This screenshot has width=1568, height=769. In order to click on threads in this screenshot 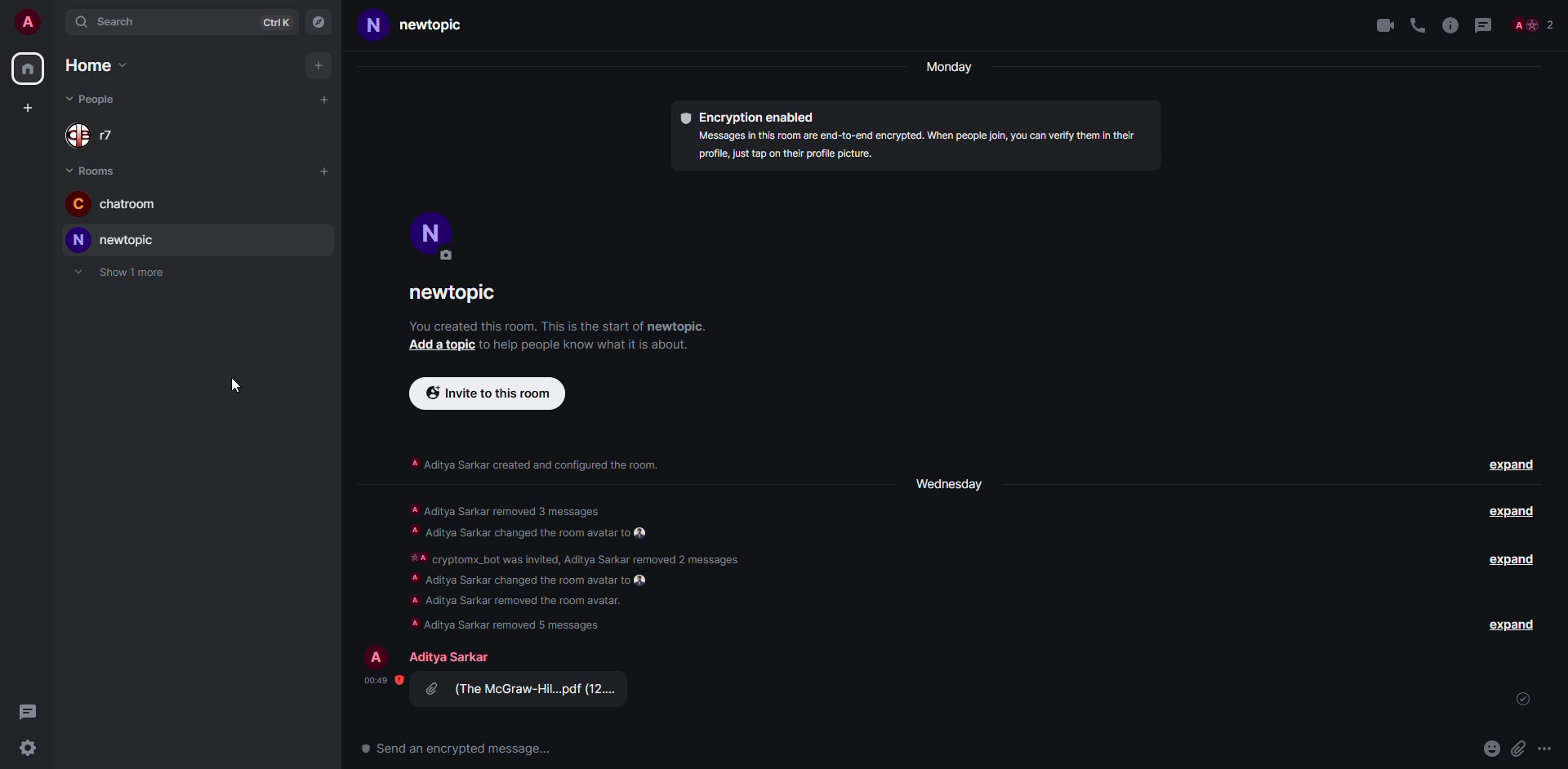, I will do `click(25, 709)`.